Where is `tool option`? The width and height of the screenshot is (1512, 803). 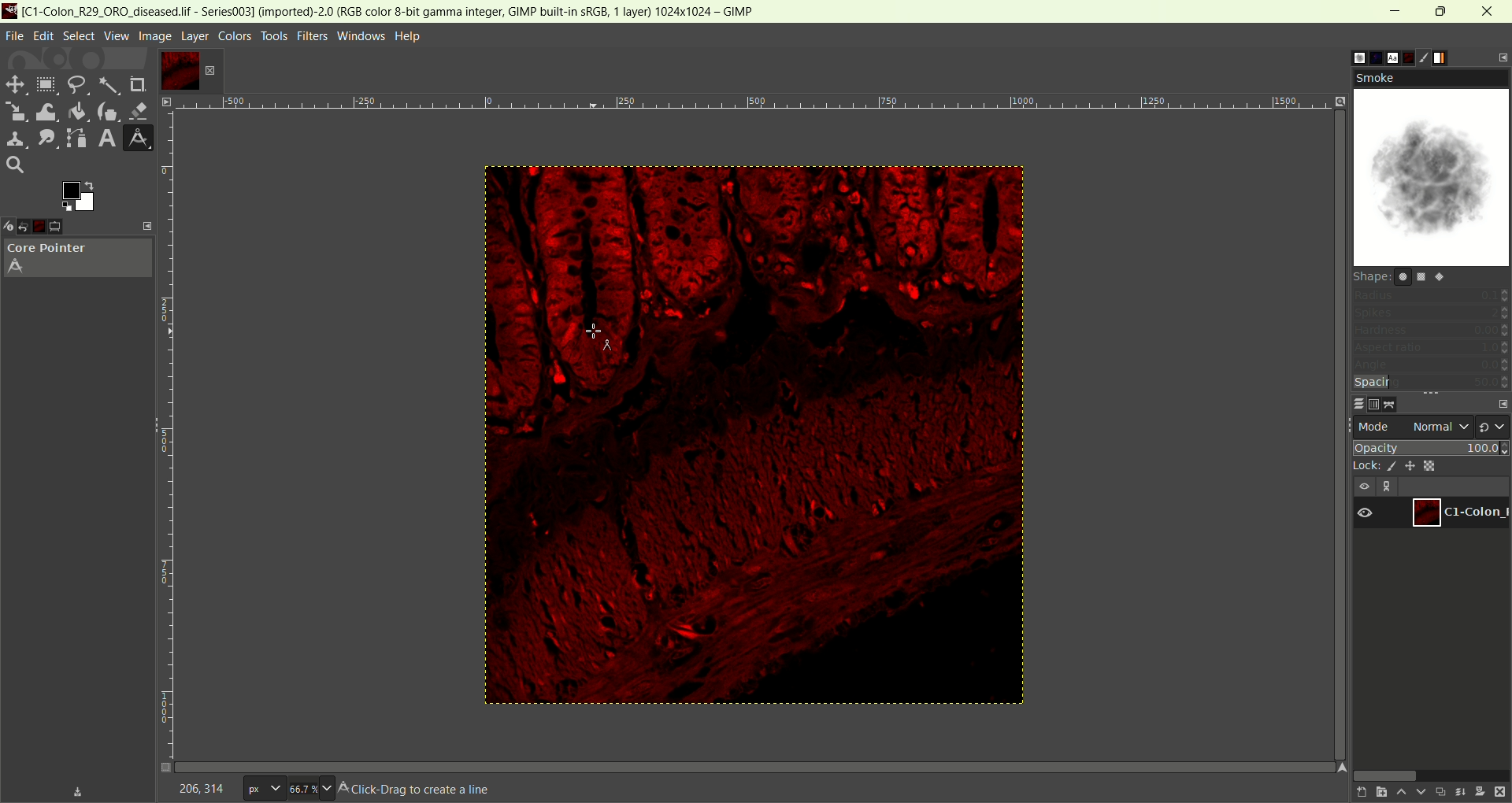 tool option is located at coordinates (68, 227).